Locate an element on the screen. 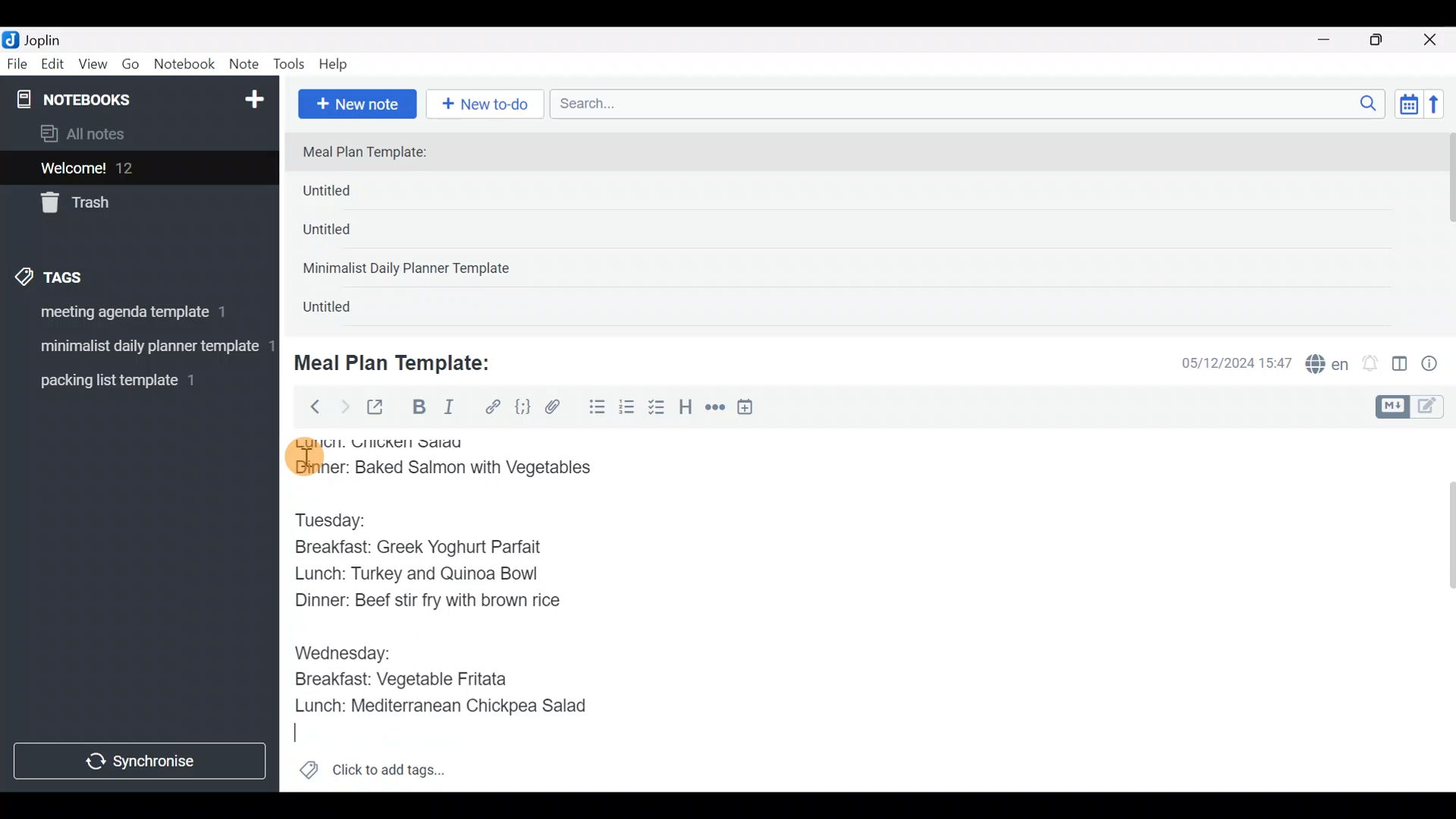 This screenshot has width=1456, height=819. Notebook is located at coordinates (185, 64).